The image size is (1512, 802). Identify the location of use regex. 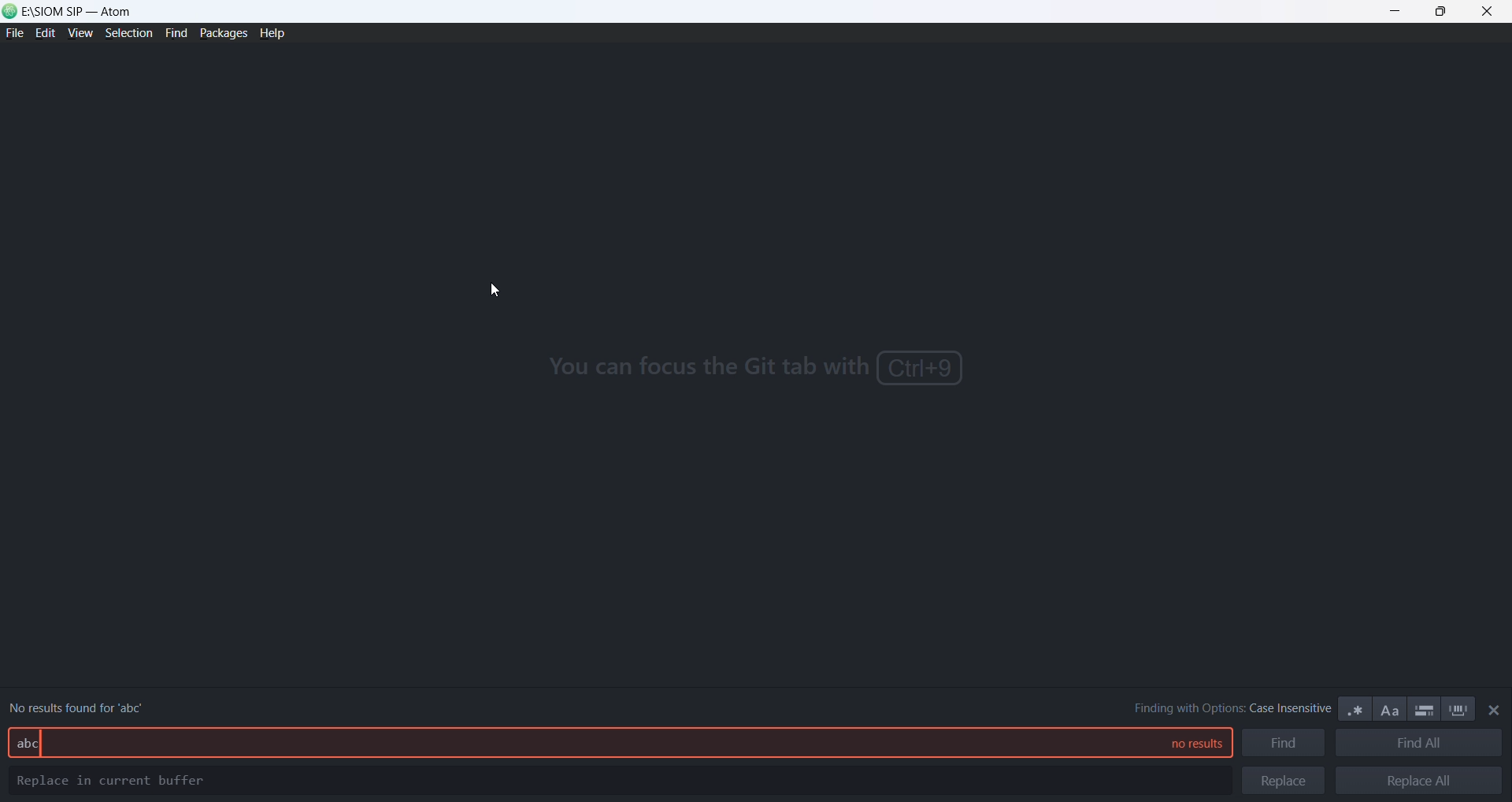
(1356, 709).